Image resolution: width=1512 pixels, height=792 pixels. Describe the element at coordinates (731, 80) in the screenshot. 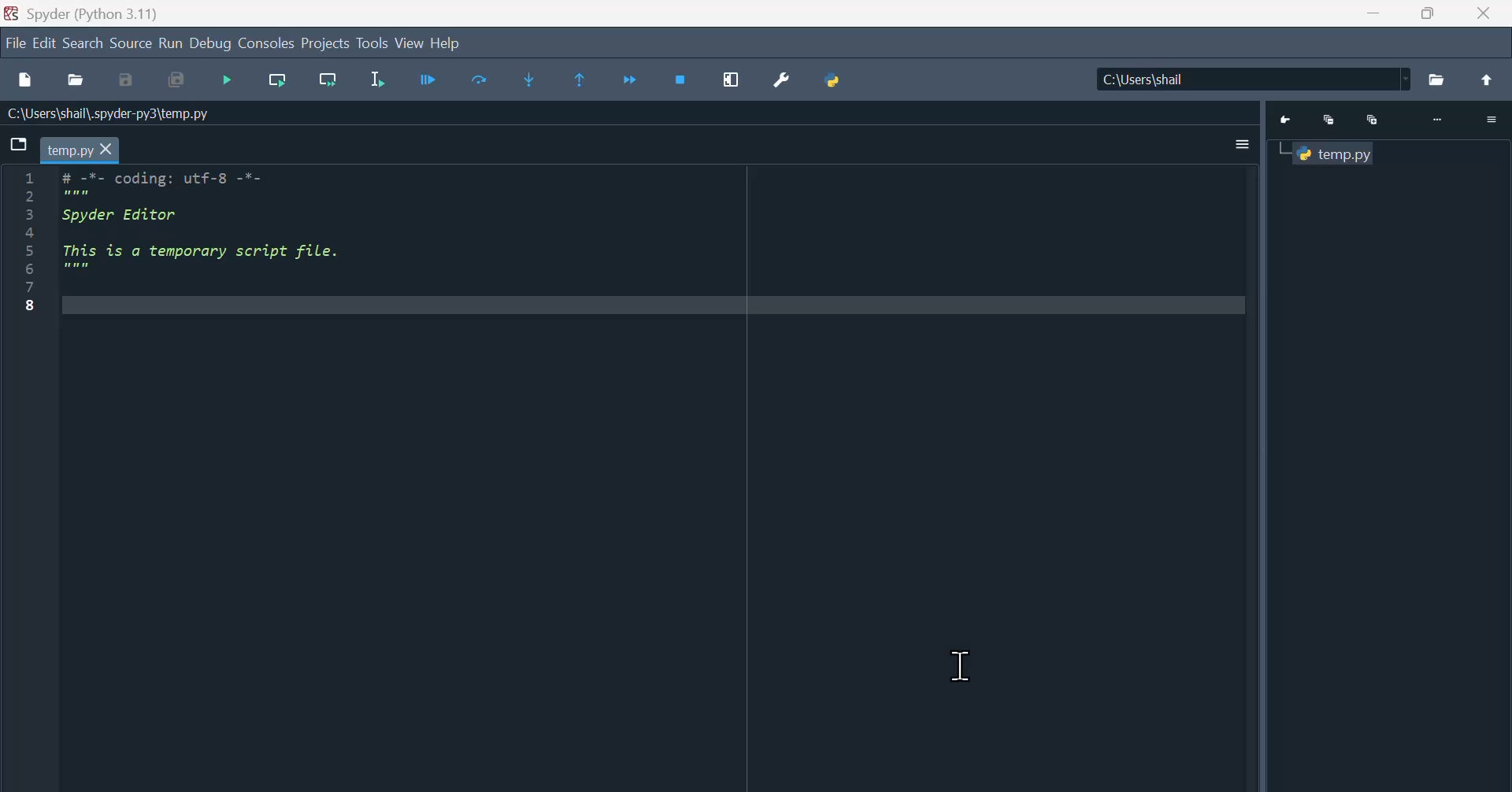

I see `Maximise current window` at that location.